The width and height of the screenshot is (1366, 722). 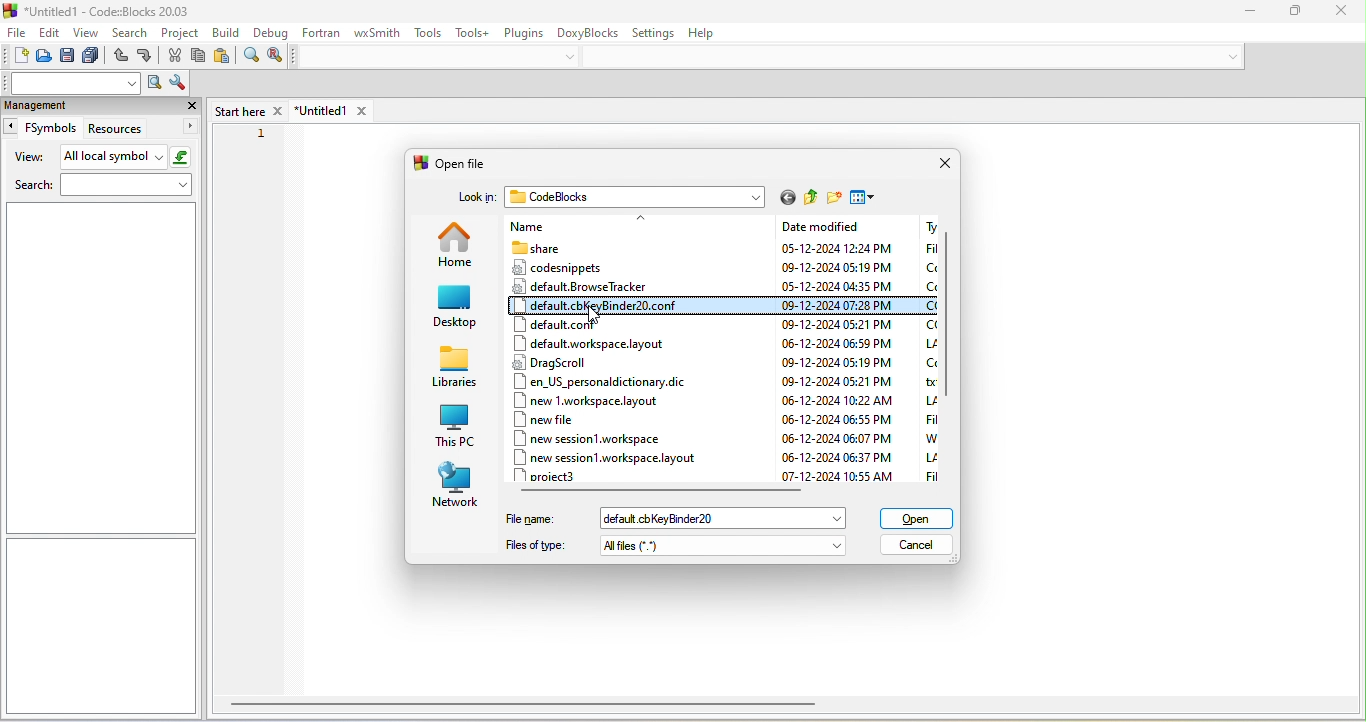 I want to click on default browse tracker, so click(x=606, y=284).